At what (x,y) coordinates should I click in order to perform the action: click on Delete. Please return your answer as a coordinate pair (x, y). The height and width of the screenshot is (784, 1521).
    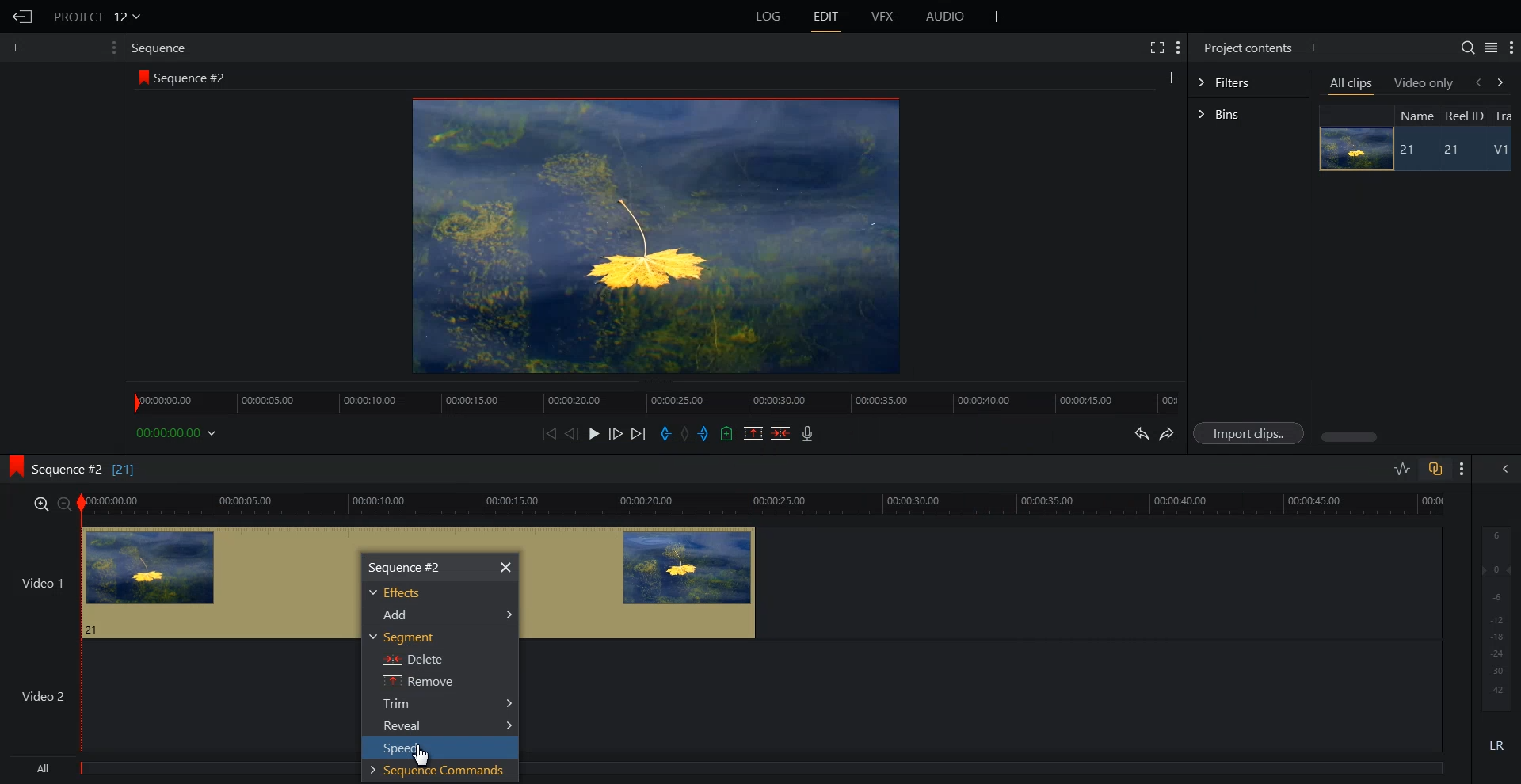
    Looking at the image, I should click on (409, 660).